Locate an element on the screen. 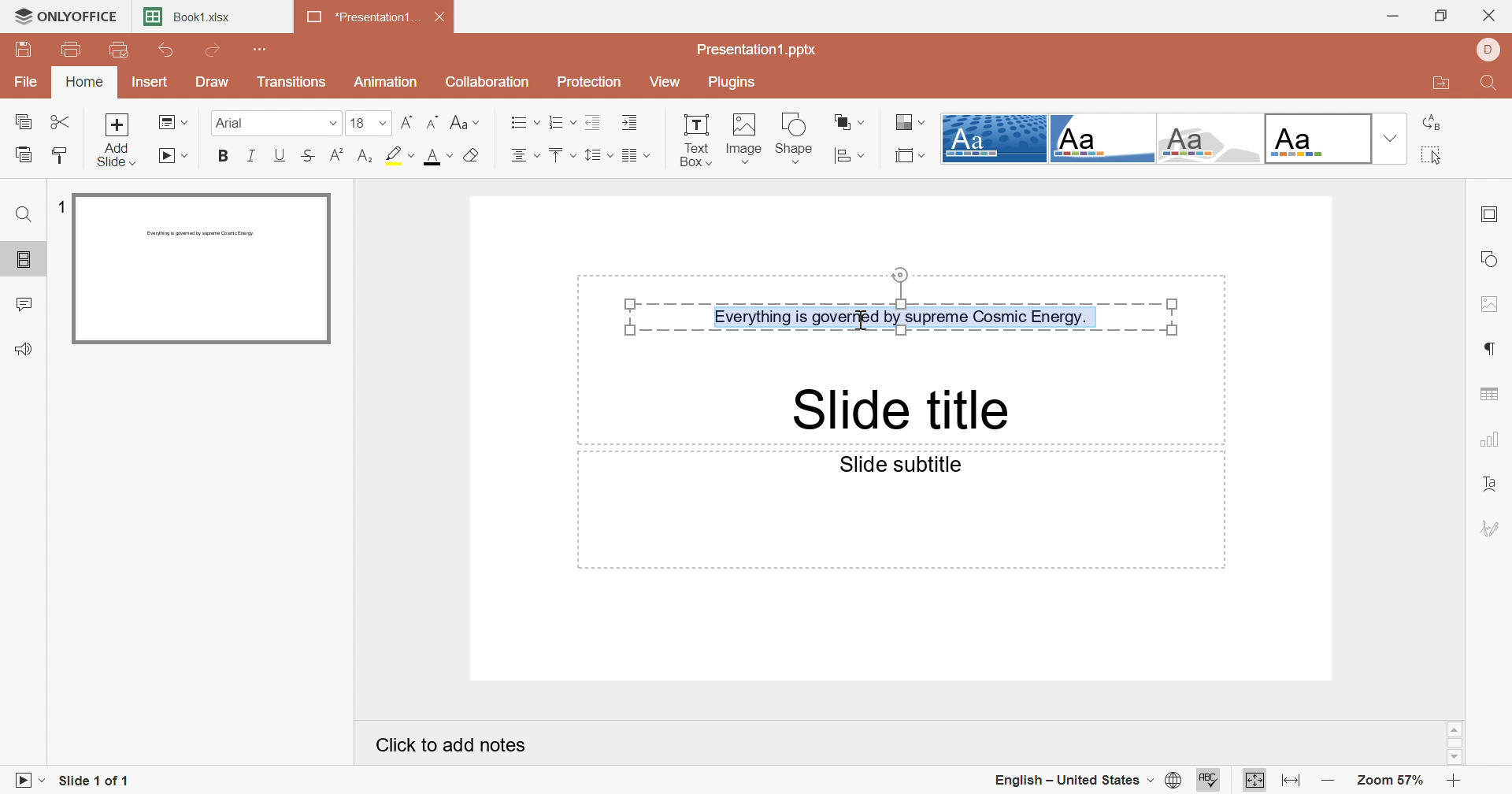  Align top is located at coordinates (563, 154).